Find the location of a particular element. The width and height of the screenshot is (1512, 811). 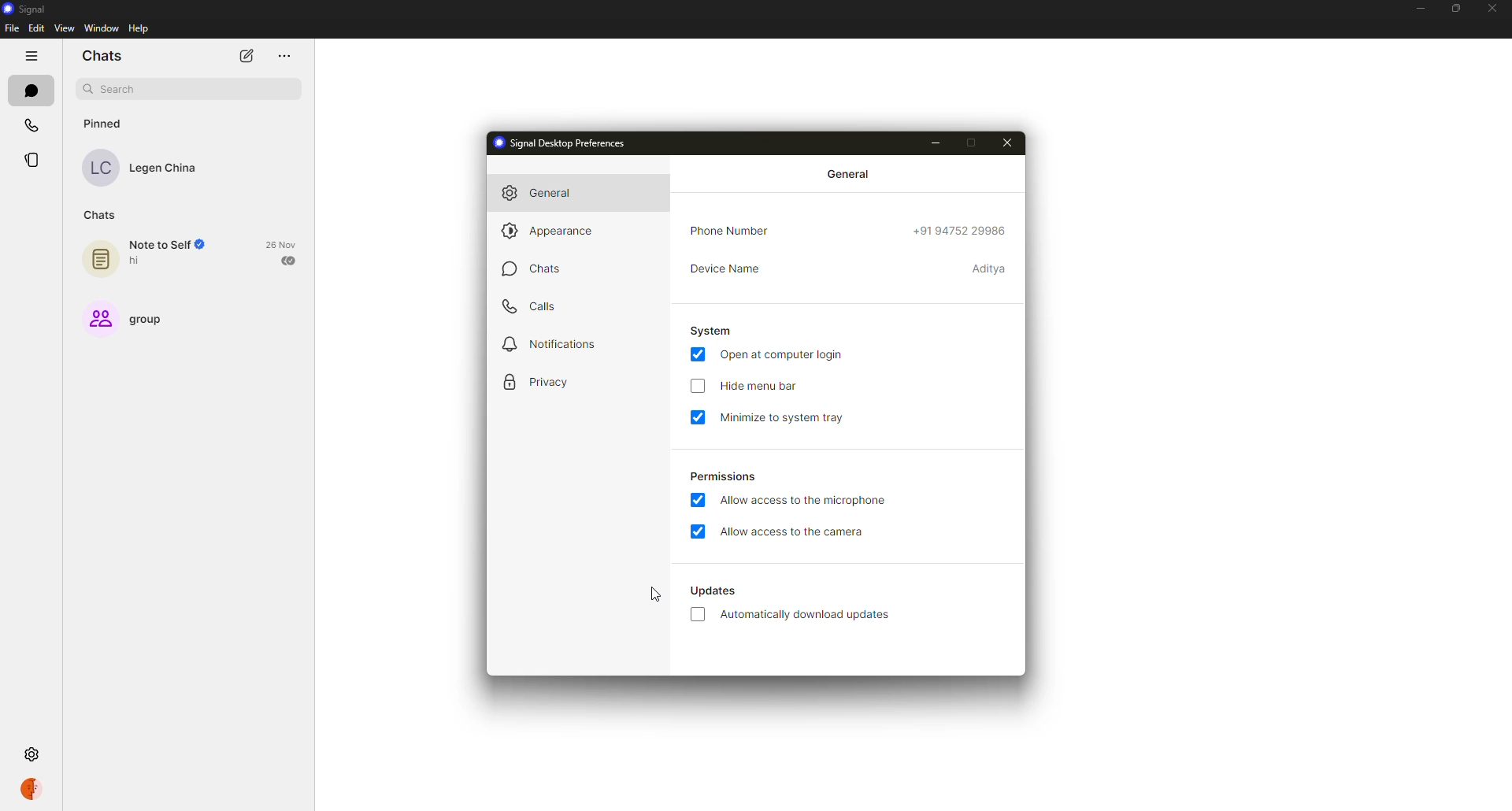

enabled is located at coordinates (697, 531).